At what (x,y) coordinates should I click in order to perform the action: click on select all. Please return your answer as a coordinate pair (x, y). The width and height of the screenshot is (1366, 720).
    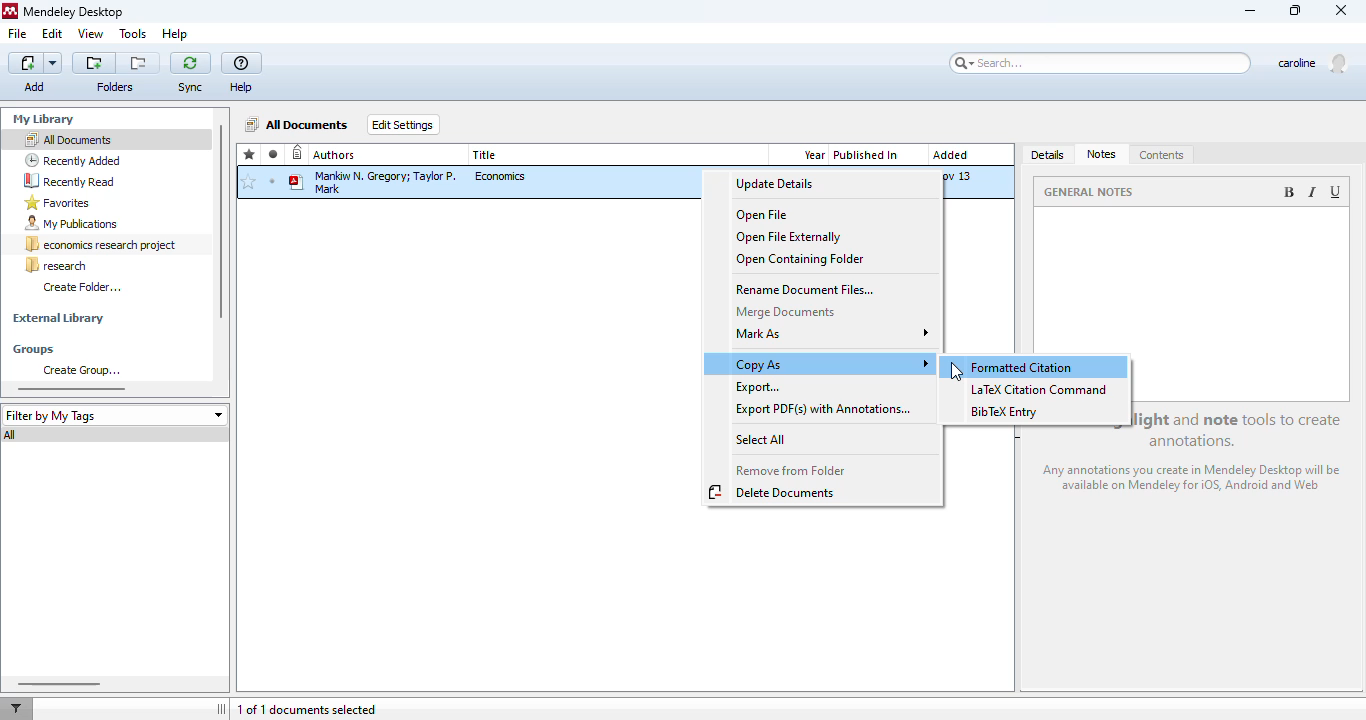
    Looking at the image, I should click on (763, 439).